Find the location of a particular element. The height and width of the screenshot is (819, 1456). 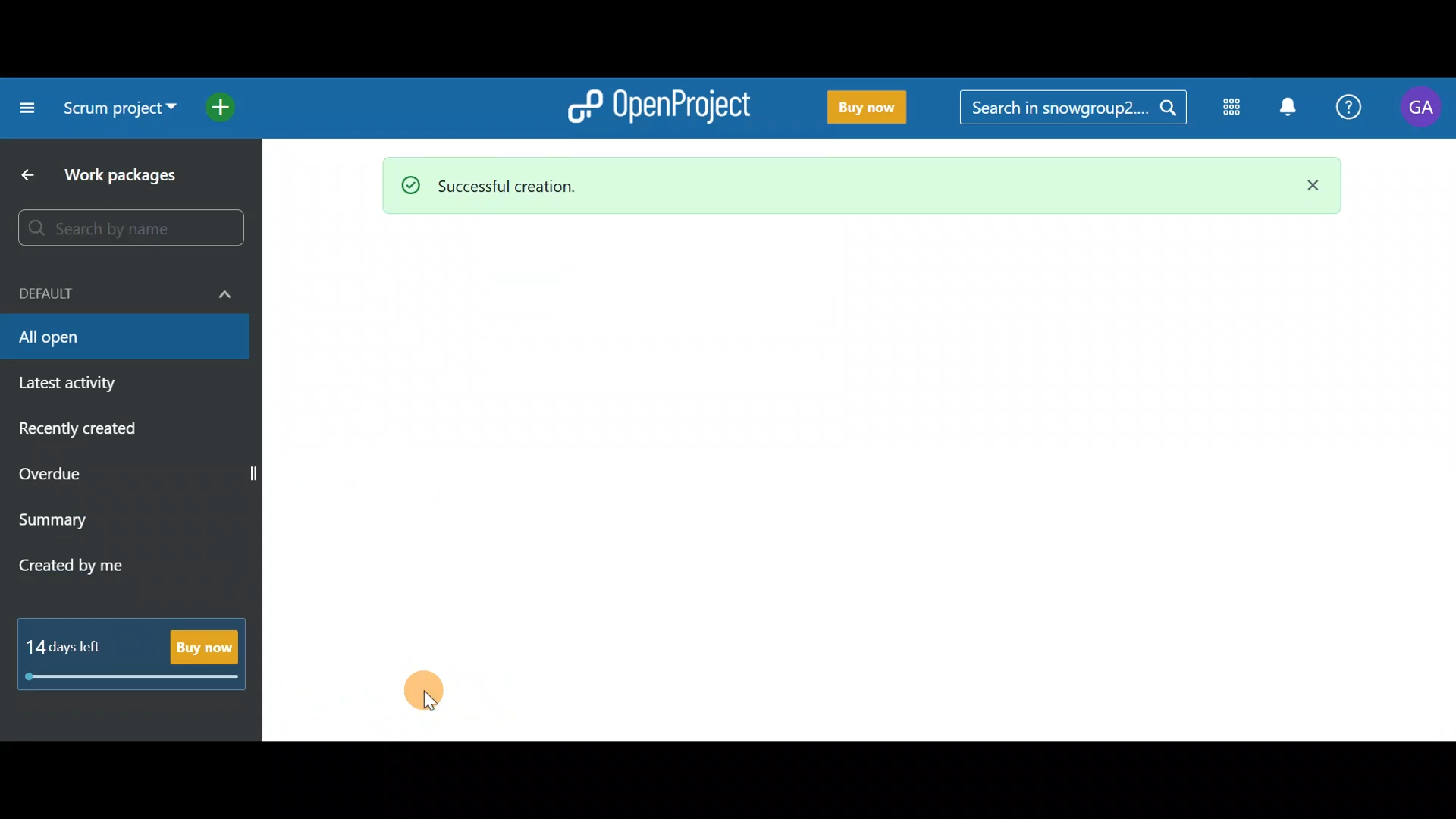

Scrum project is located at coordinates (120, 114).